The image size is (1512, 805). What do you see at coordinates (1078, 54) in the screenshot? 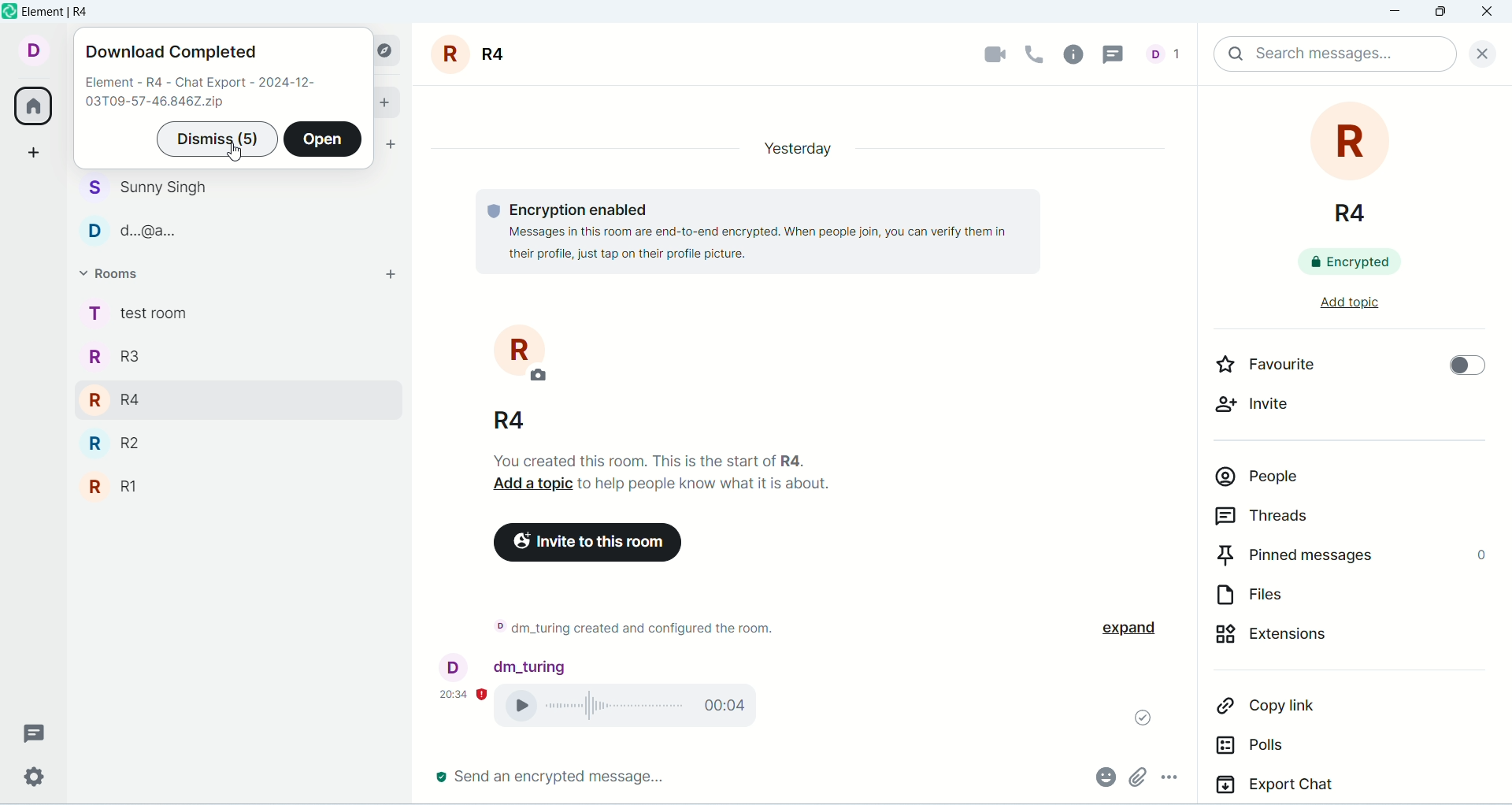
I see `room info` at bounding box center [1078, 54].